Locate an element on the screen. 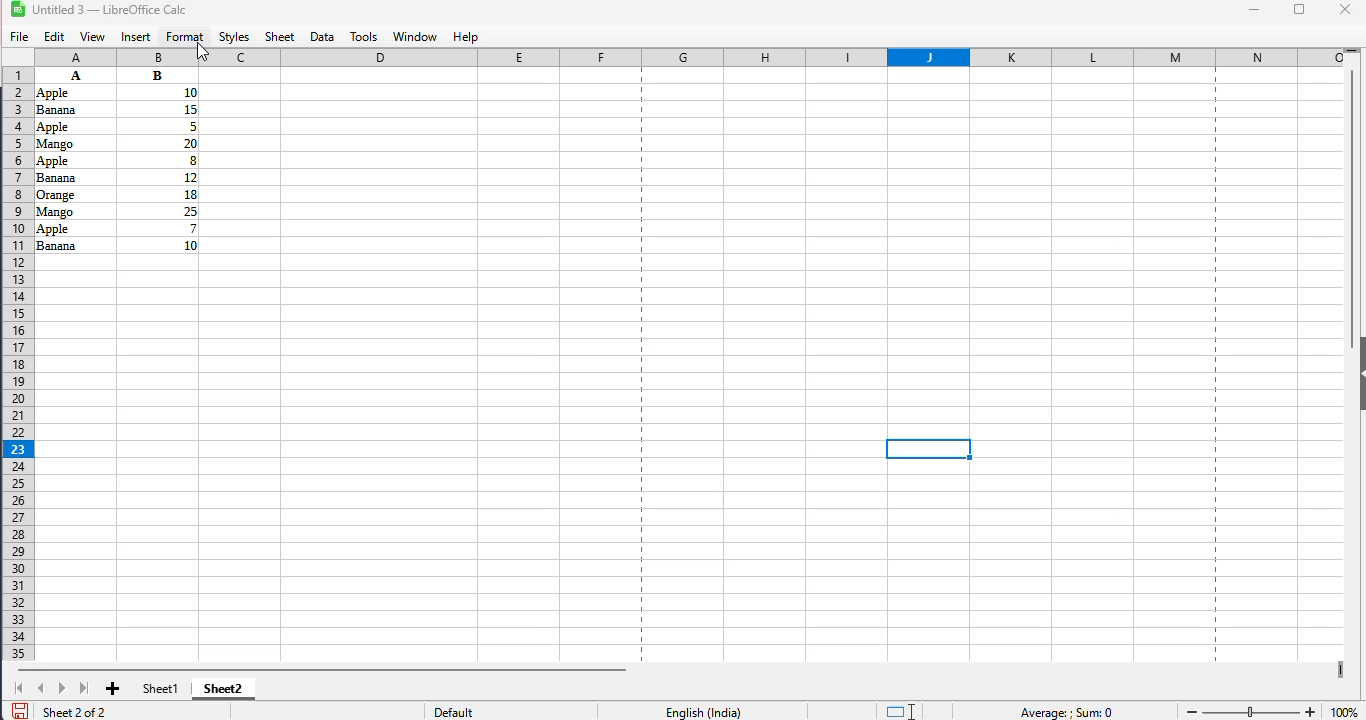  show is located at coordinates (1357, 376).